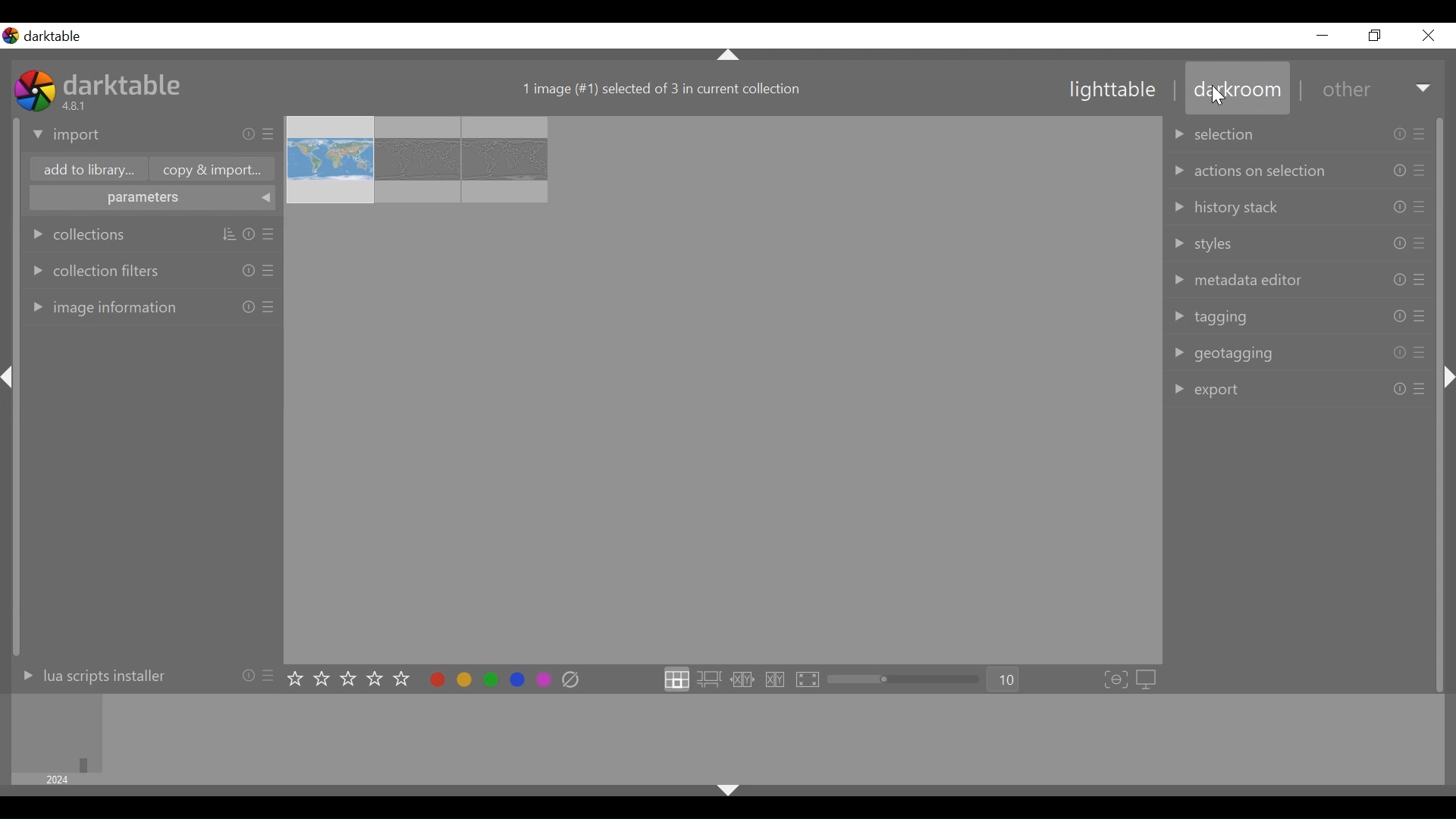 The height and width of the screenshot is (819, 1456). Describe the element at coordinates (1378, 37) in the screenshot. I see `restore` at that location.